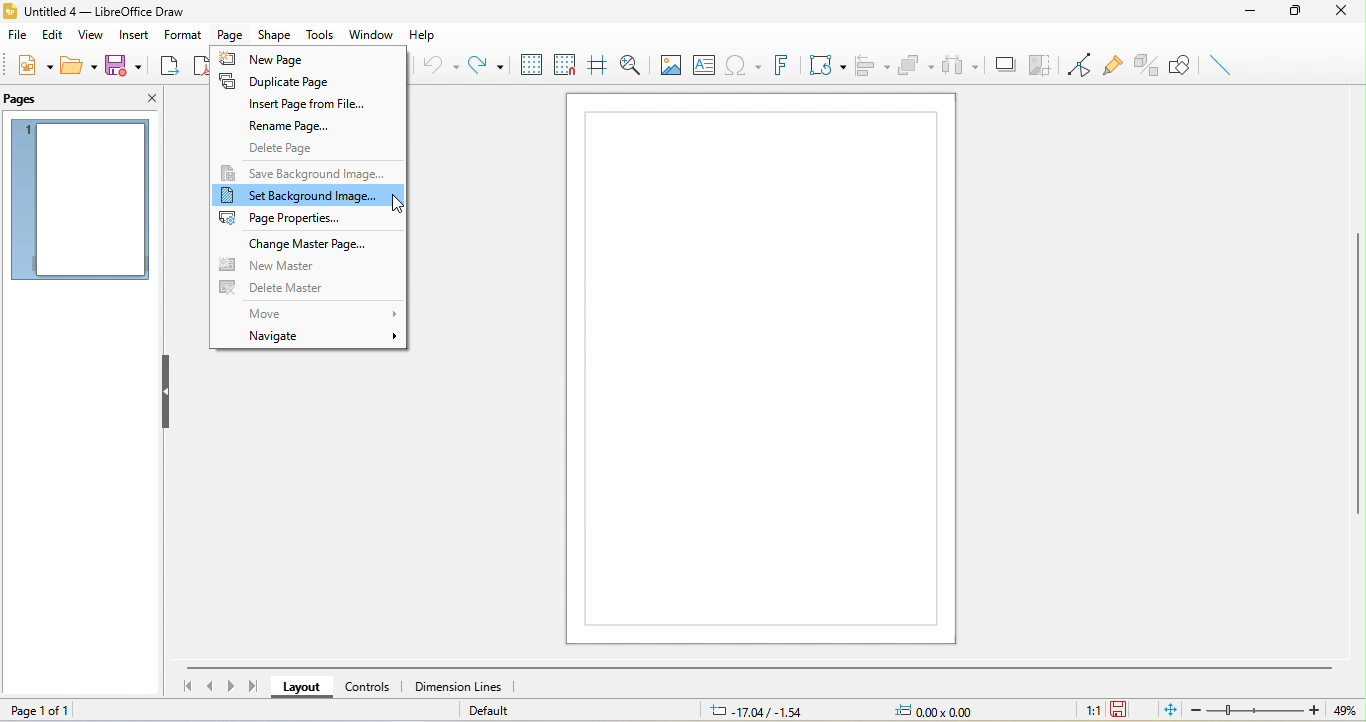 The width and height of the screenshot is (1366, 722). What do you see at coordinates (299, 688) in the screenshot?
I see `layout` at bounding box center [299, 688].